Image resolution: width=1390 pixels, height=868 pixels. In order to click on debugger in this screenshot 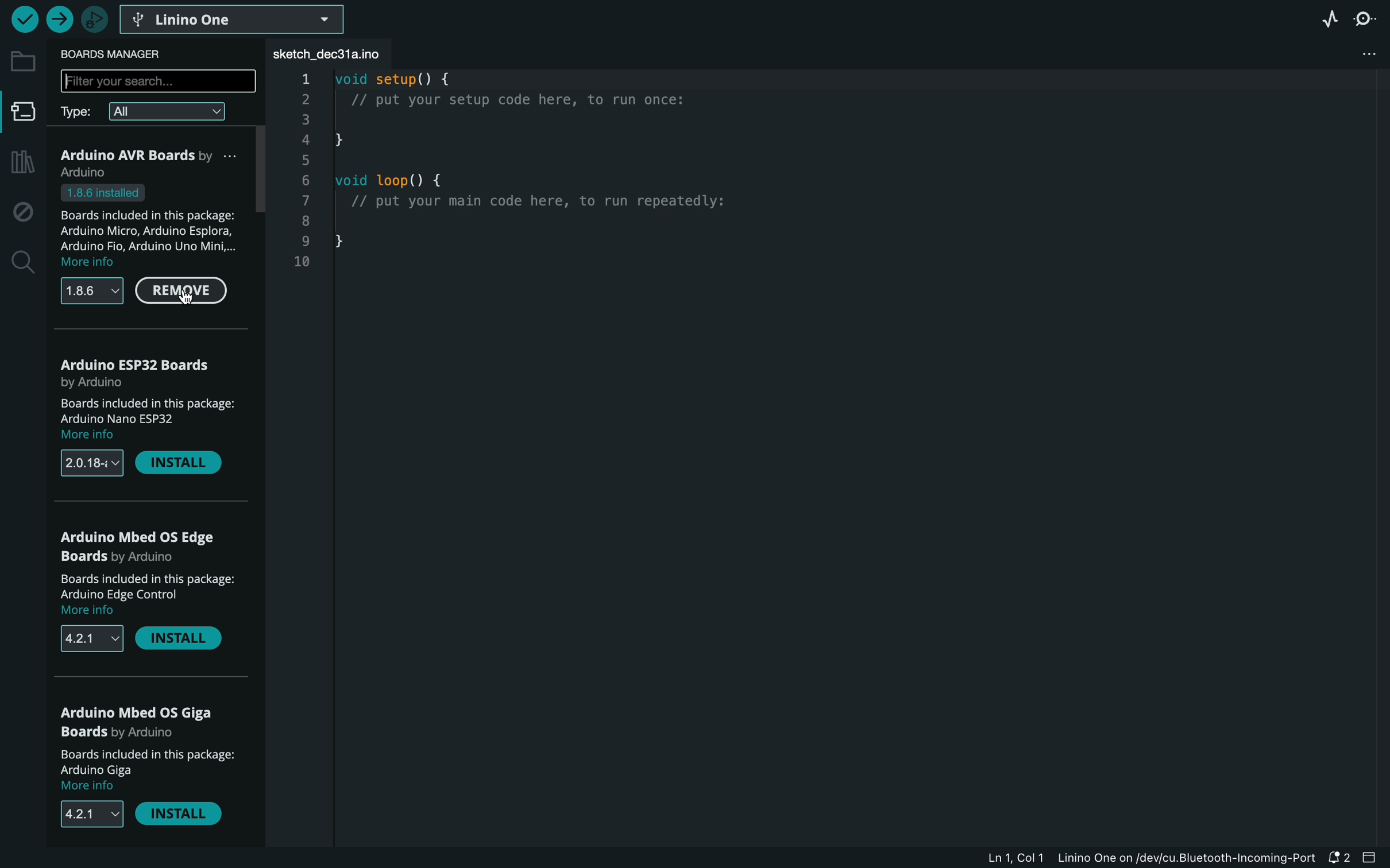, I will do `click(95, 21)`.